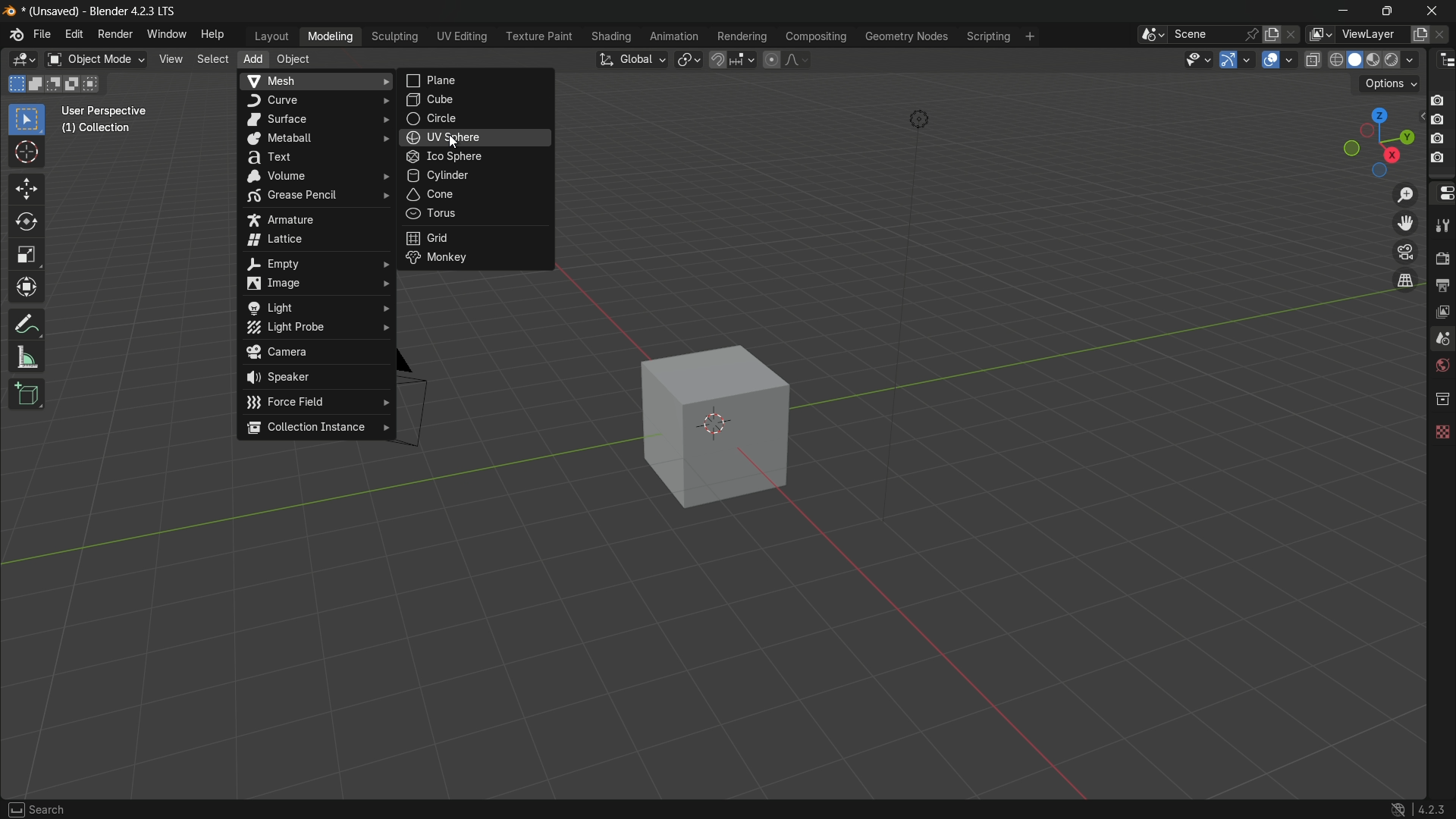  Describe the element at coordinates (1199, 61) in the screenshot. I see `selectability and visibility` at that location.